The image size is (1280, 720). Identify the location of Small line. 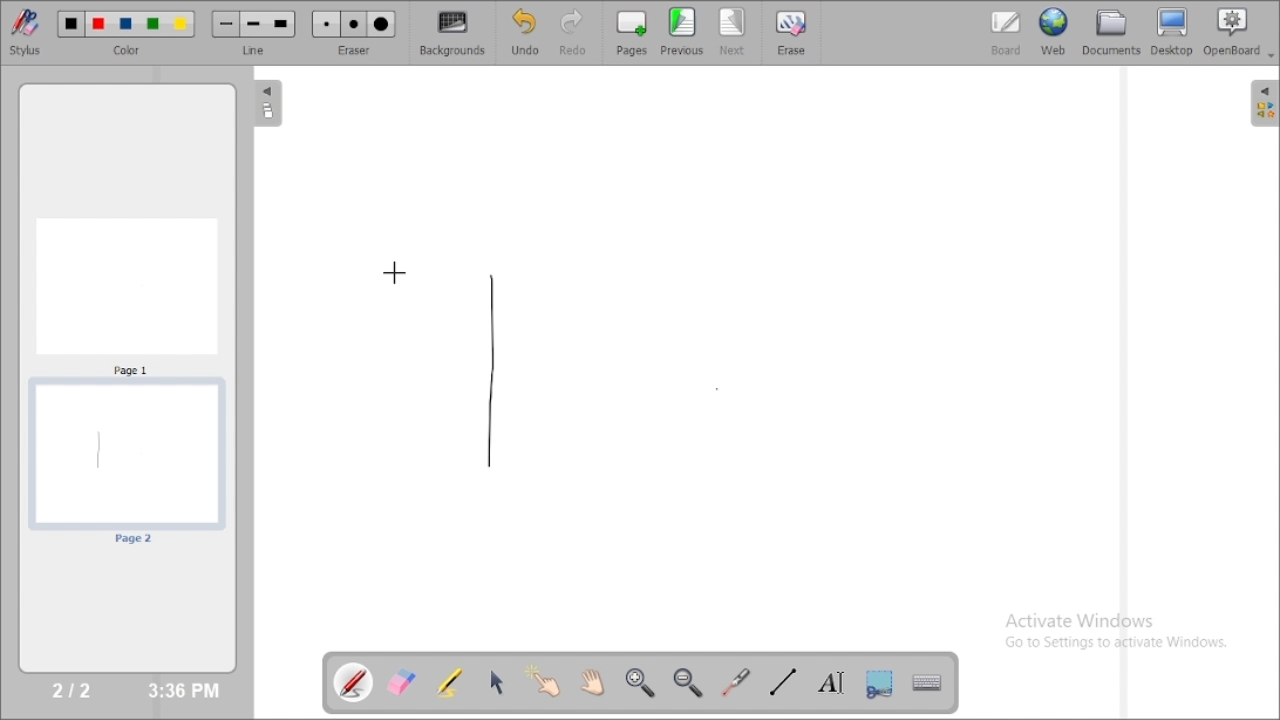
(226, 24).